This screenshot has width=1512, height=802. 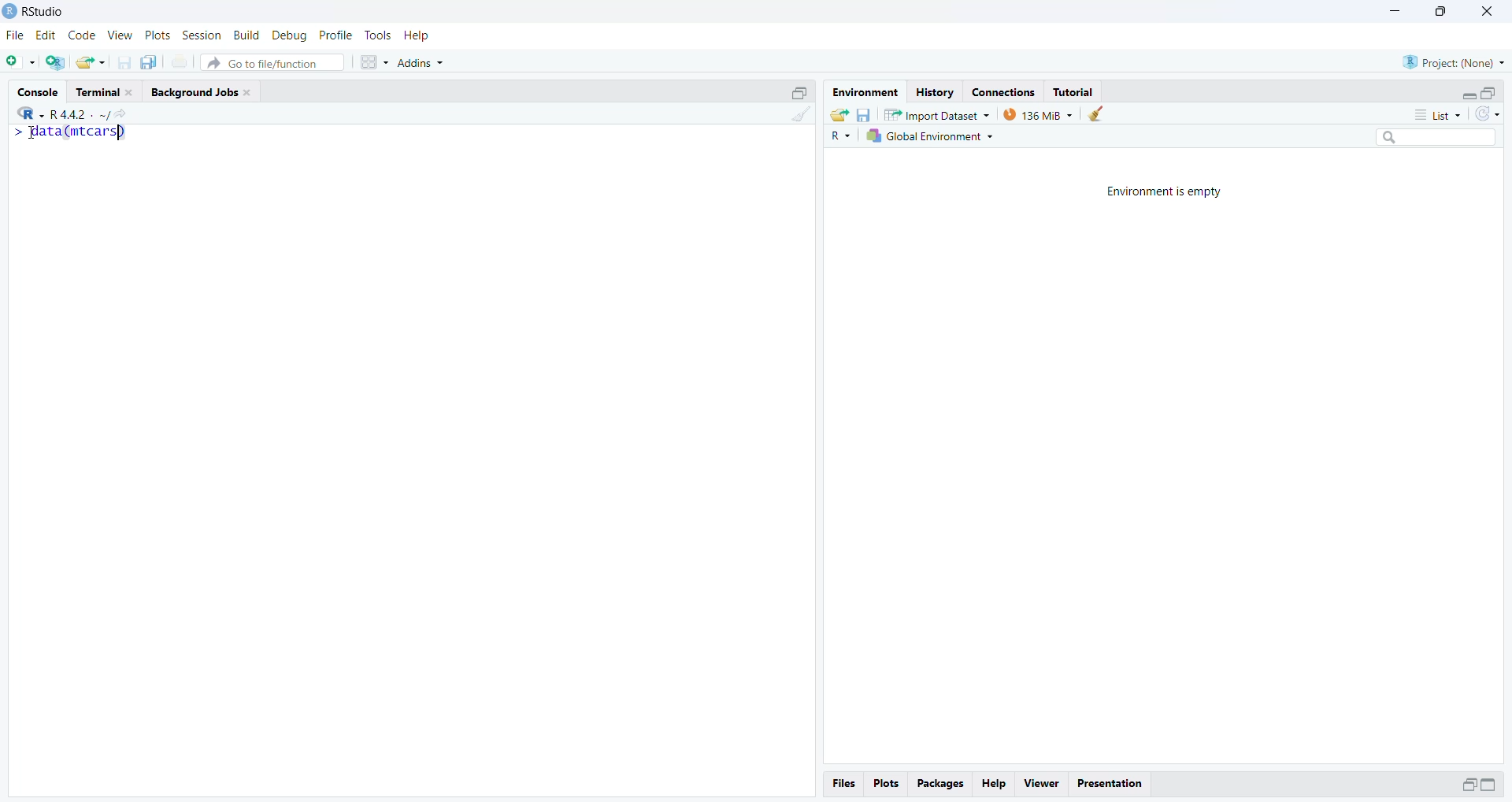 I want to click on Save all open documents (Ctrl + Alt + S), so click(x=154, y=62).